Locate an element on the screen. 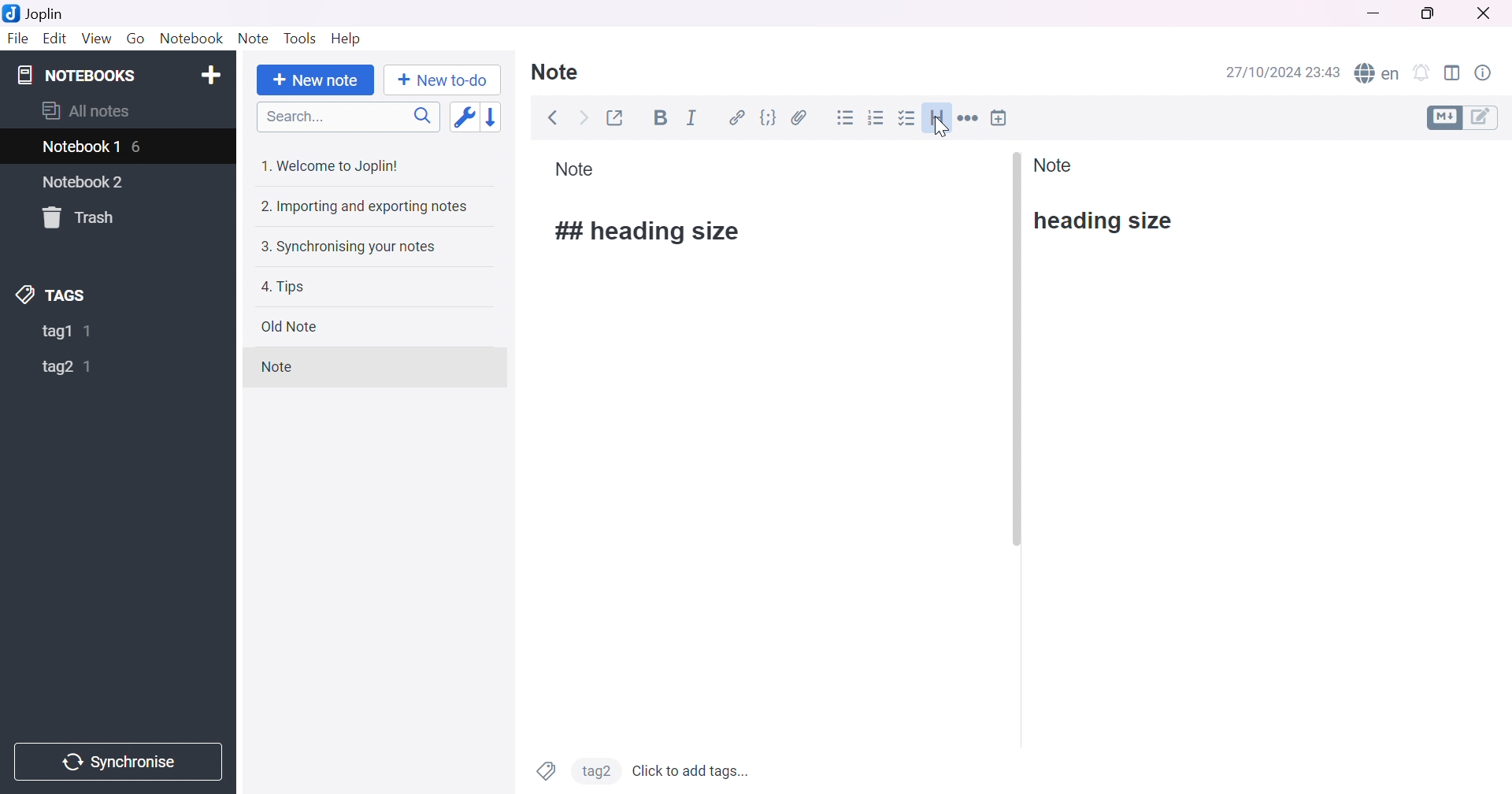 The height and width of the screenshot is (794, 1512). + New note is located at coordinates (313, 82).